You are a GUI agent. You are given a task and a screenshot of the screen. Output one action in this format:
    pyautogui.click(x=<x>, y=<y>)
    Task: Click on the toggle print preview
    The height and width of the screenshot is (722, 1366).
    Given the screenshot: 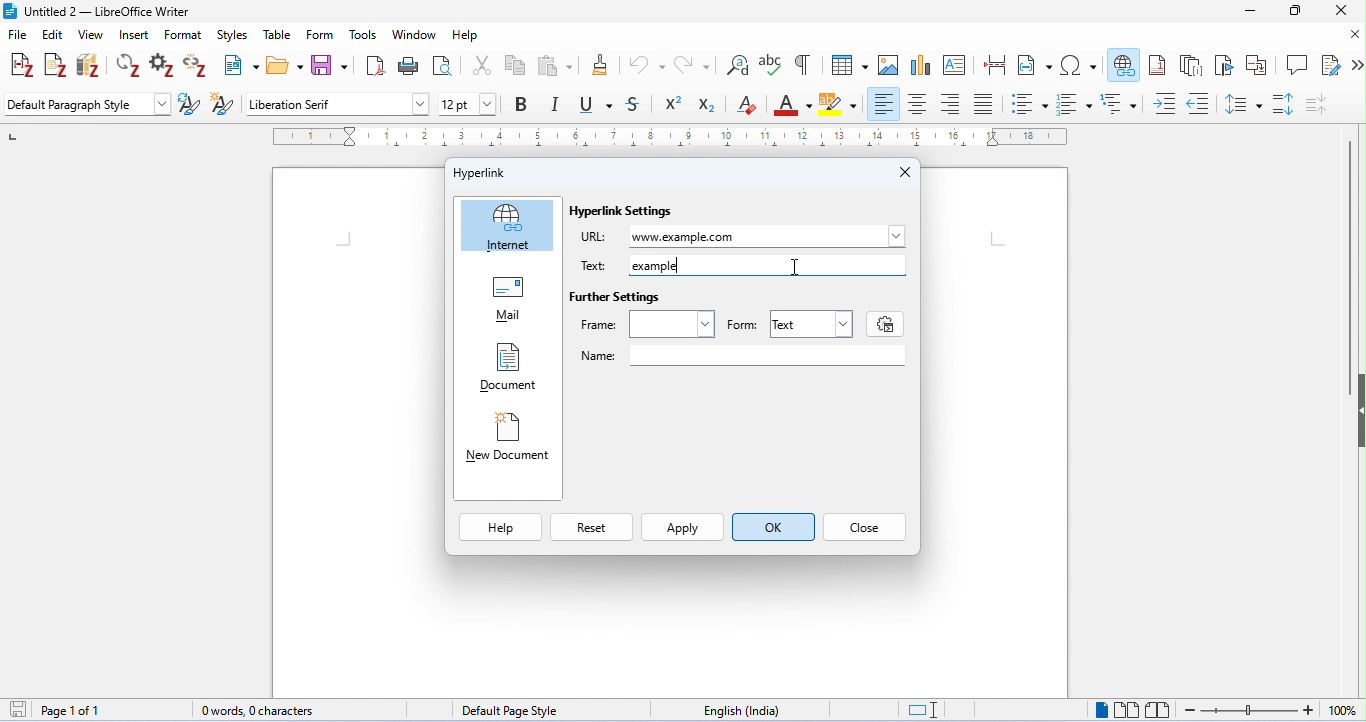 What is the action you would take?
    pyautogui.click(x=443, y=65)
    